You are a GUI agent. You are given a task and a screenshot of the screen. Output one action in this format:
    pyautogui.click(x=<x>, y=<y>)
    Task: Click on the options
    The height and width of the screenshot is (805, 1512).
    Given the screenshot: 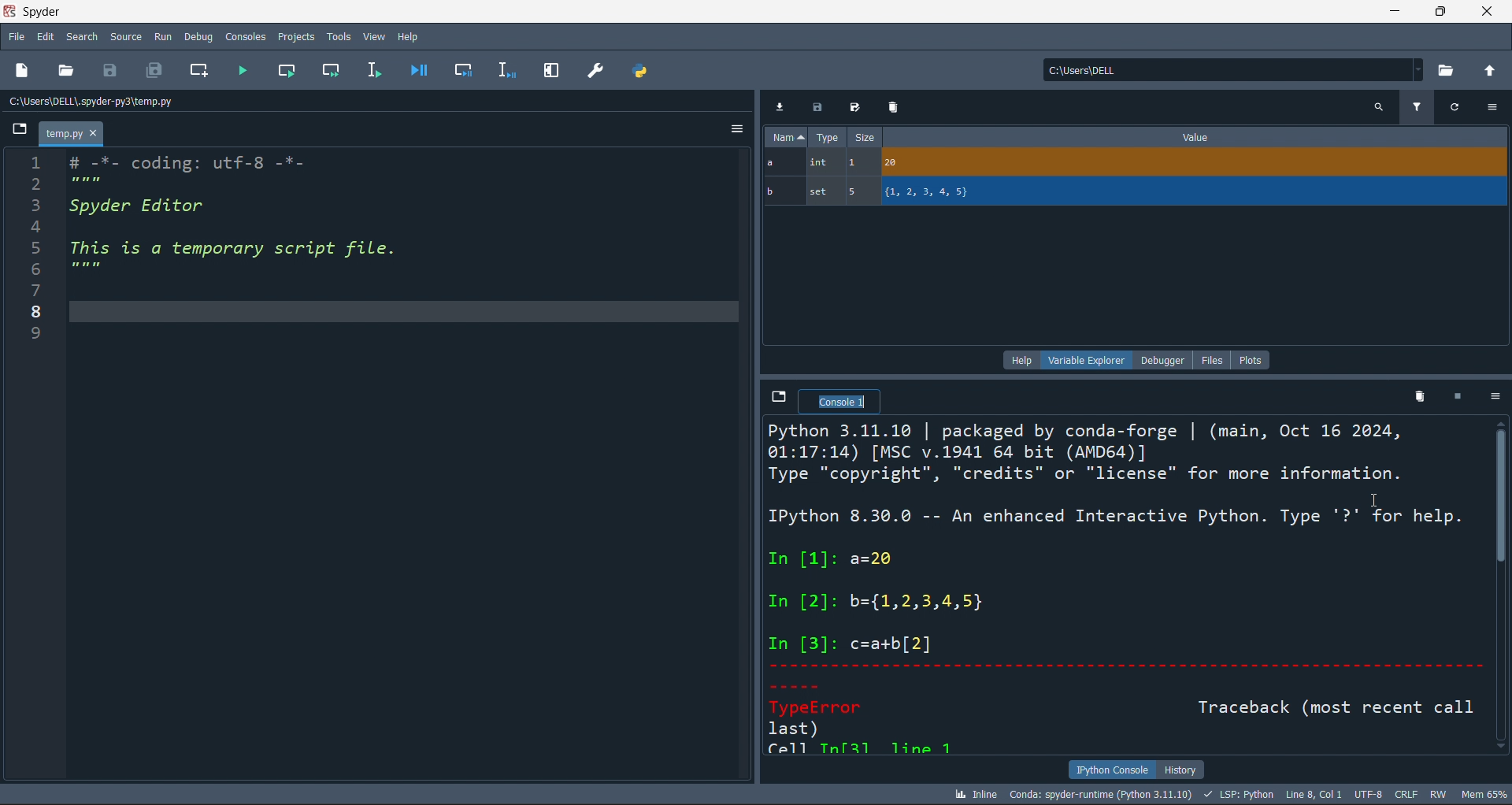 What is the action you would take?
    pyautogui.click(x=1493, y=107)
    